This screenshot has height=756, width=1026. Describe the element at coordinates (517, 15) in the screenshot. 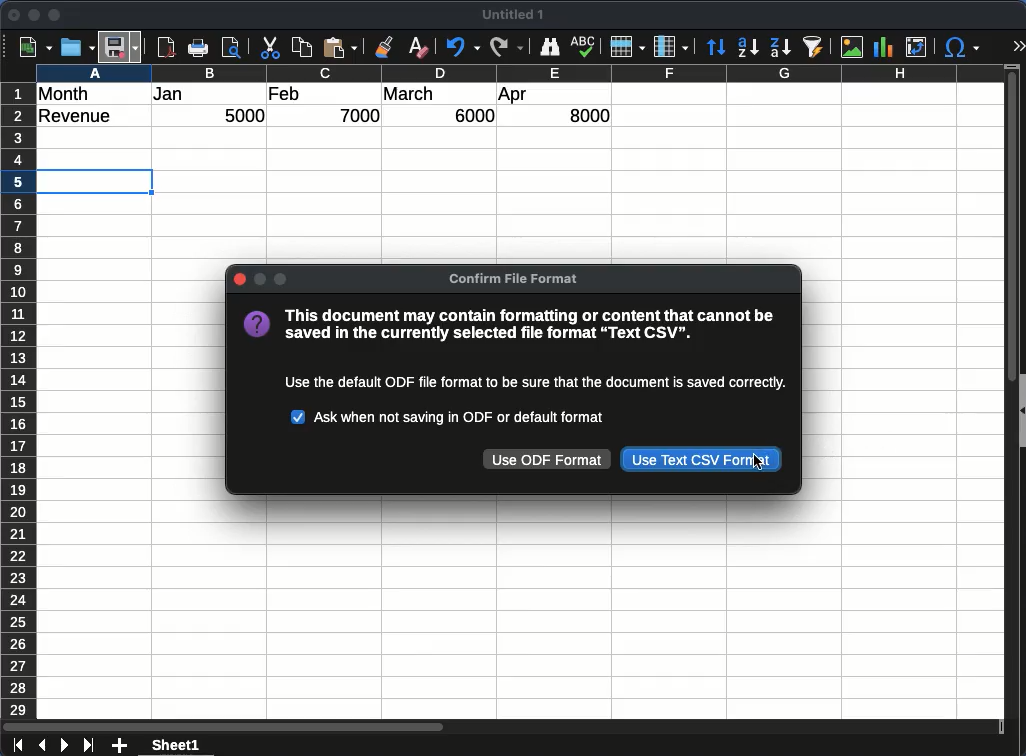

I see `Untitled 1` at that location.